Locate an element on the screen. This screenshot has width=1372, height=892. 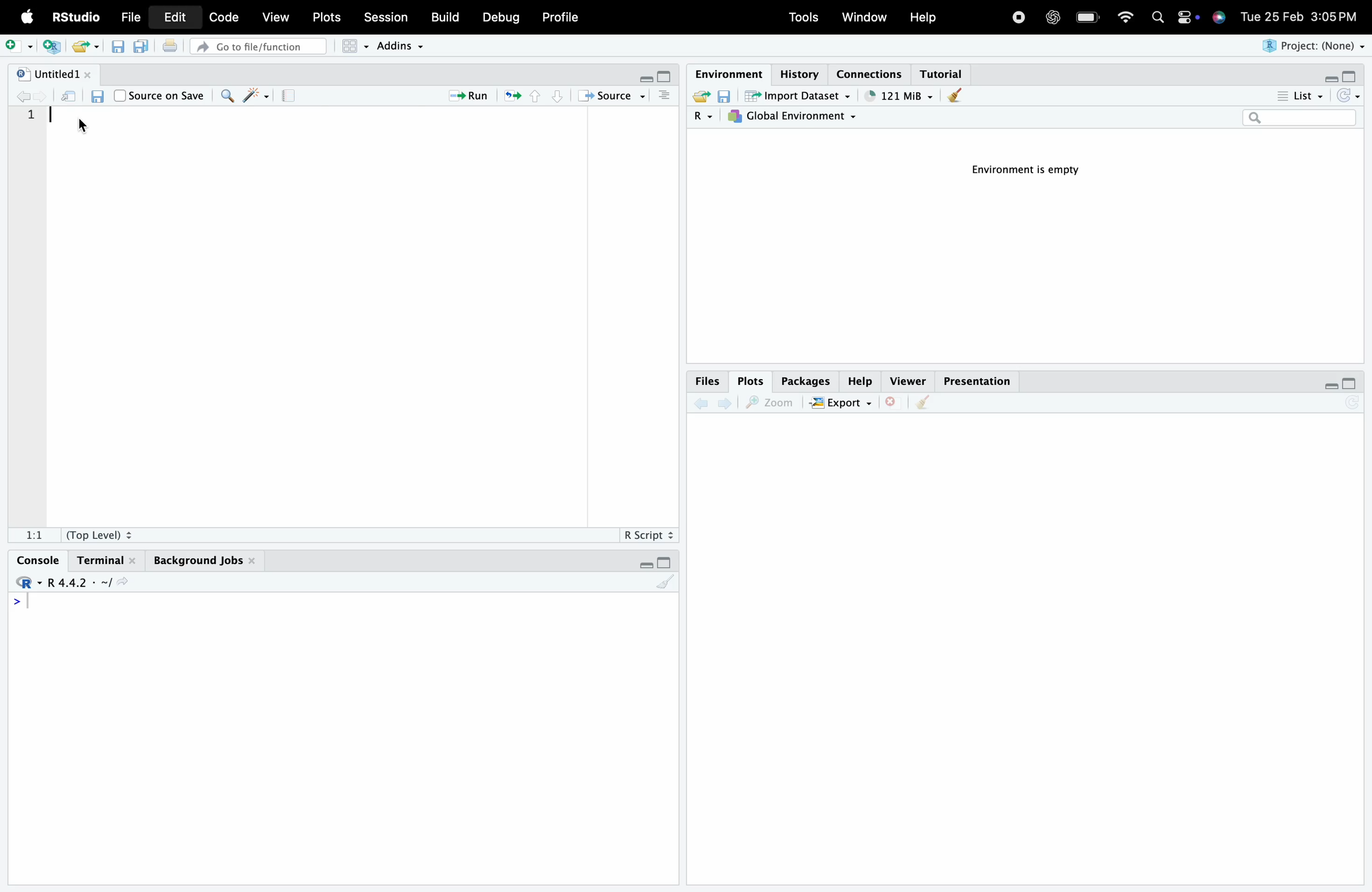
Build is located at coordinates (444, 18).